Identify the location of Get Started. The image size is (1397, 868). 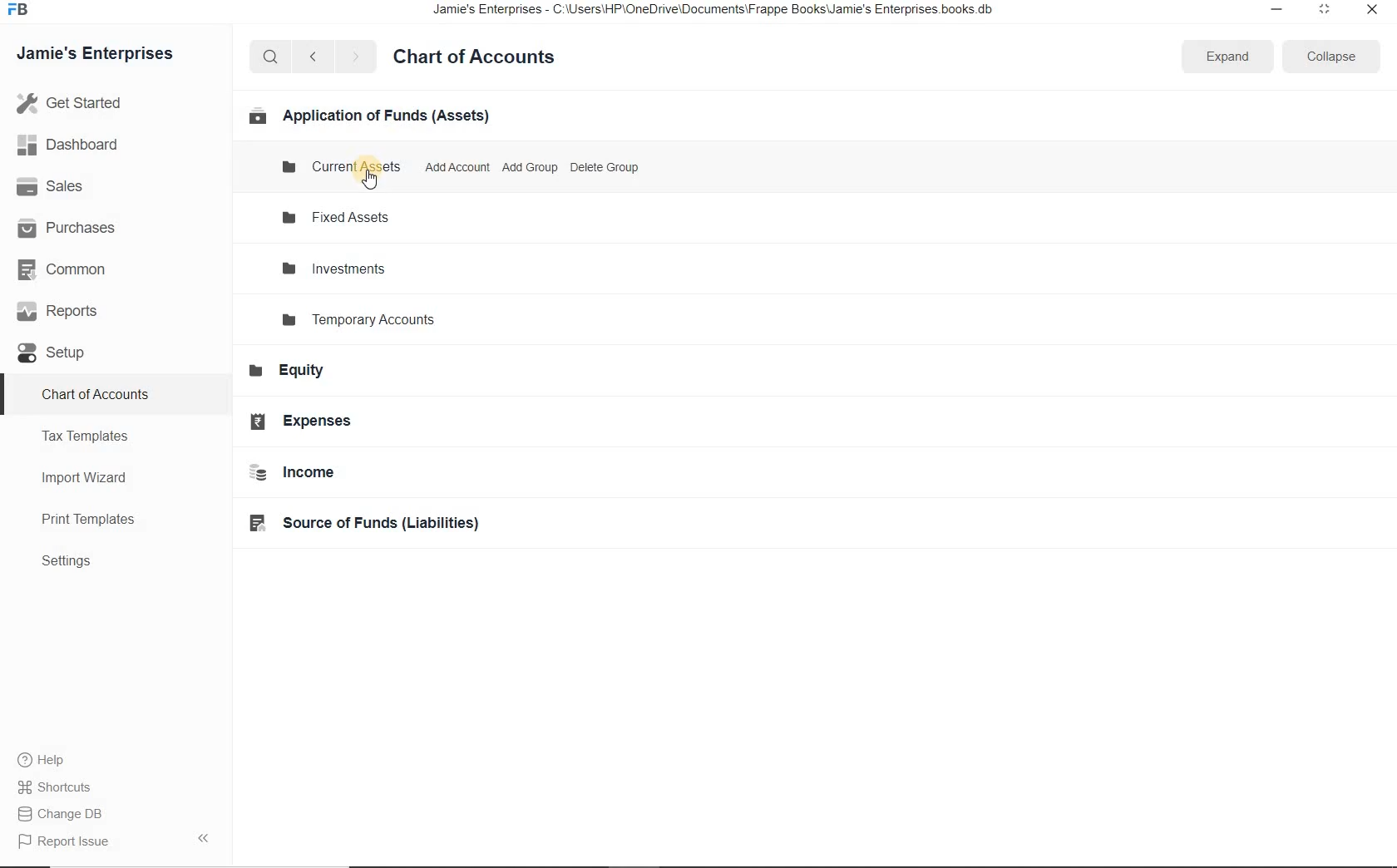
(106, 103).